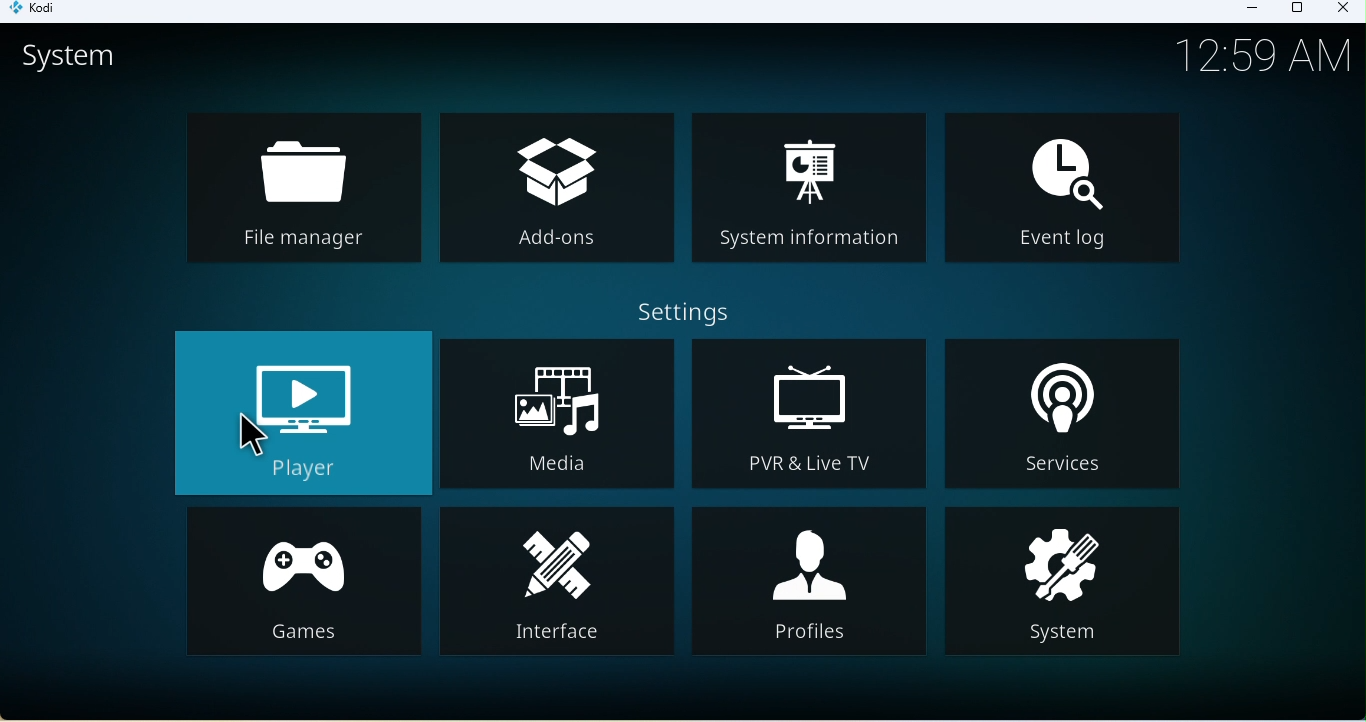  I want to click on System information, so click(806, 190).